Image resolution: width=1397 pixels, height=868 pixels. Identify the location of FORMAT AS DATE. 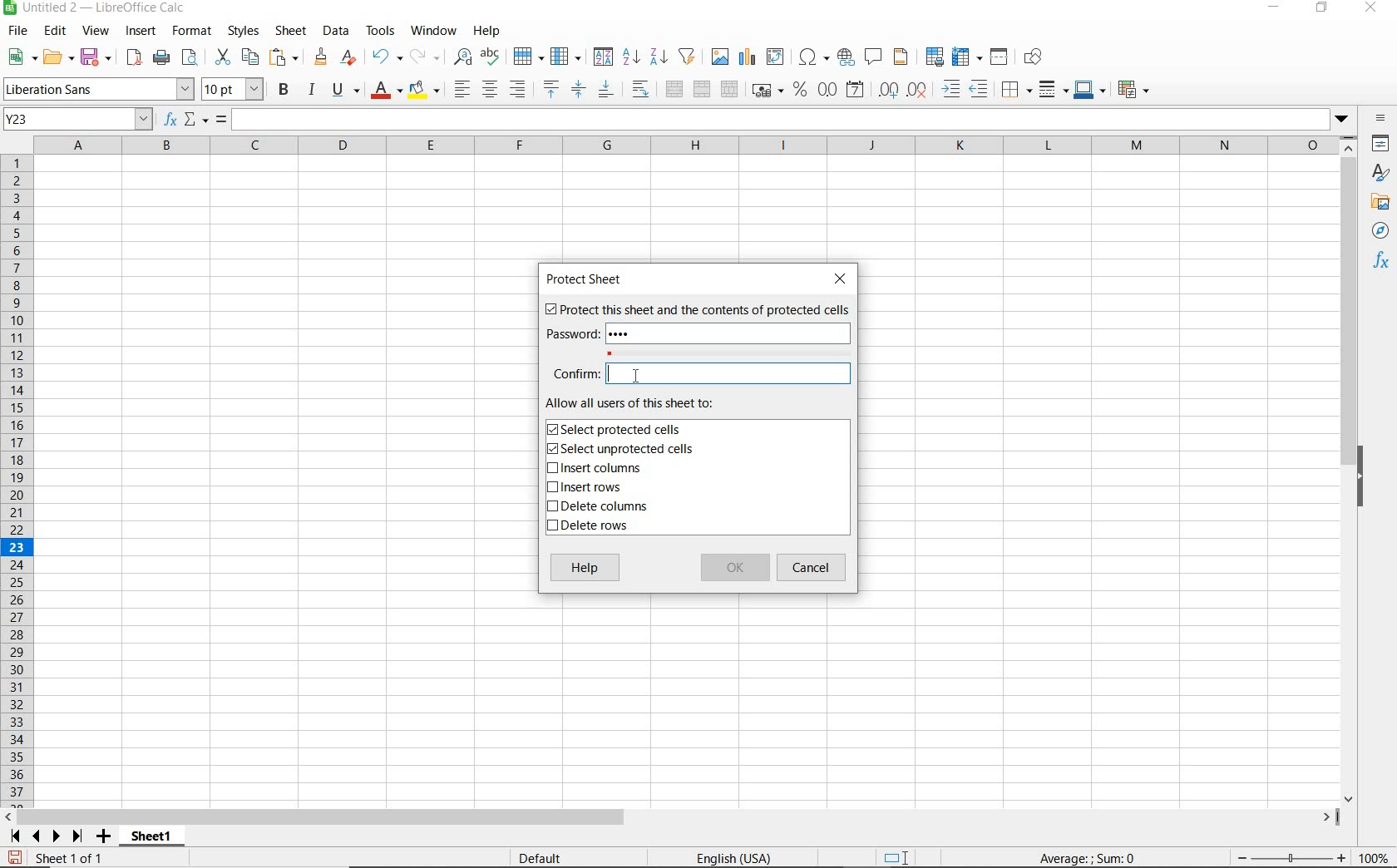
(854, 90).